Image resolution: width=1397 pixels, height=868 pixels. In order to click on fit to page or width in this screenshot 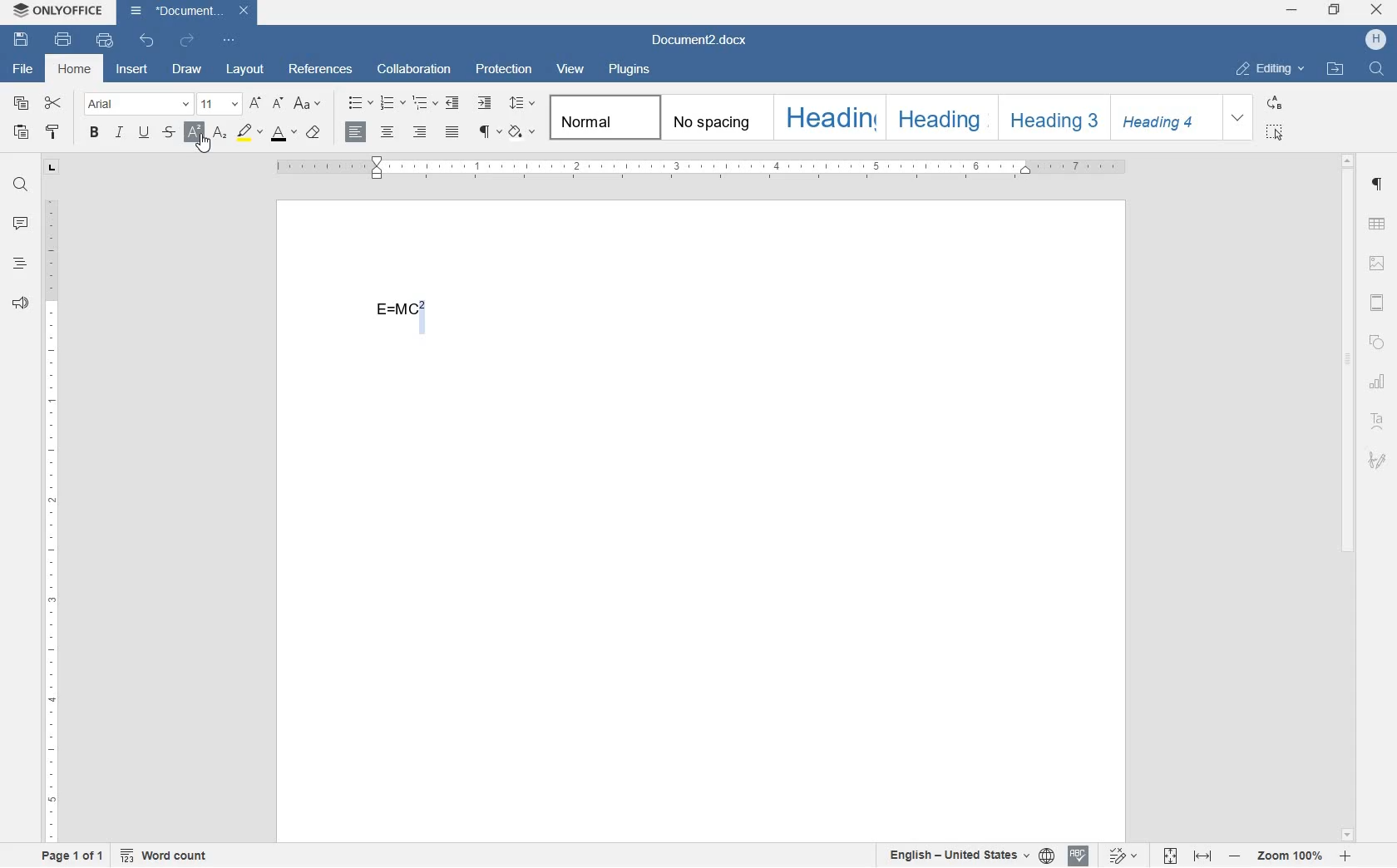, I will do `click(1186, 856)`.